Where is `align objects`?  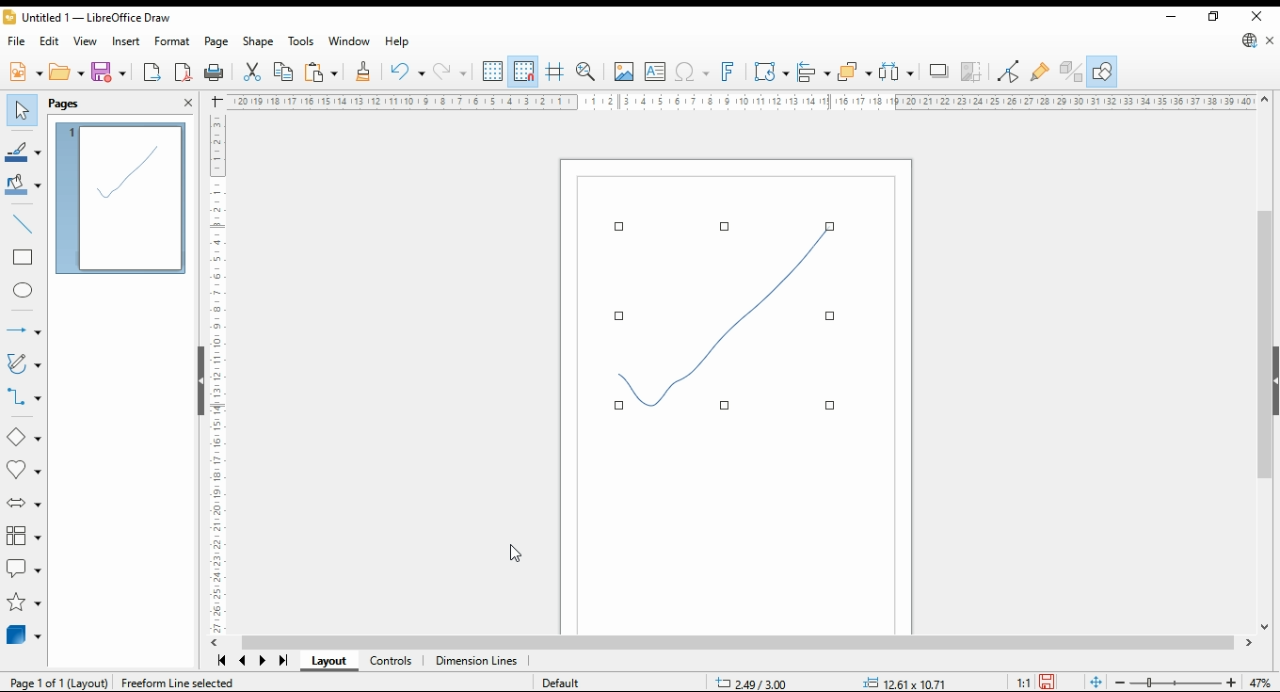 align objects is located at coordinates (814, 72).